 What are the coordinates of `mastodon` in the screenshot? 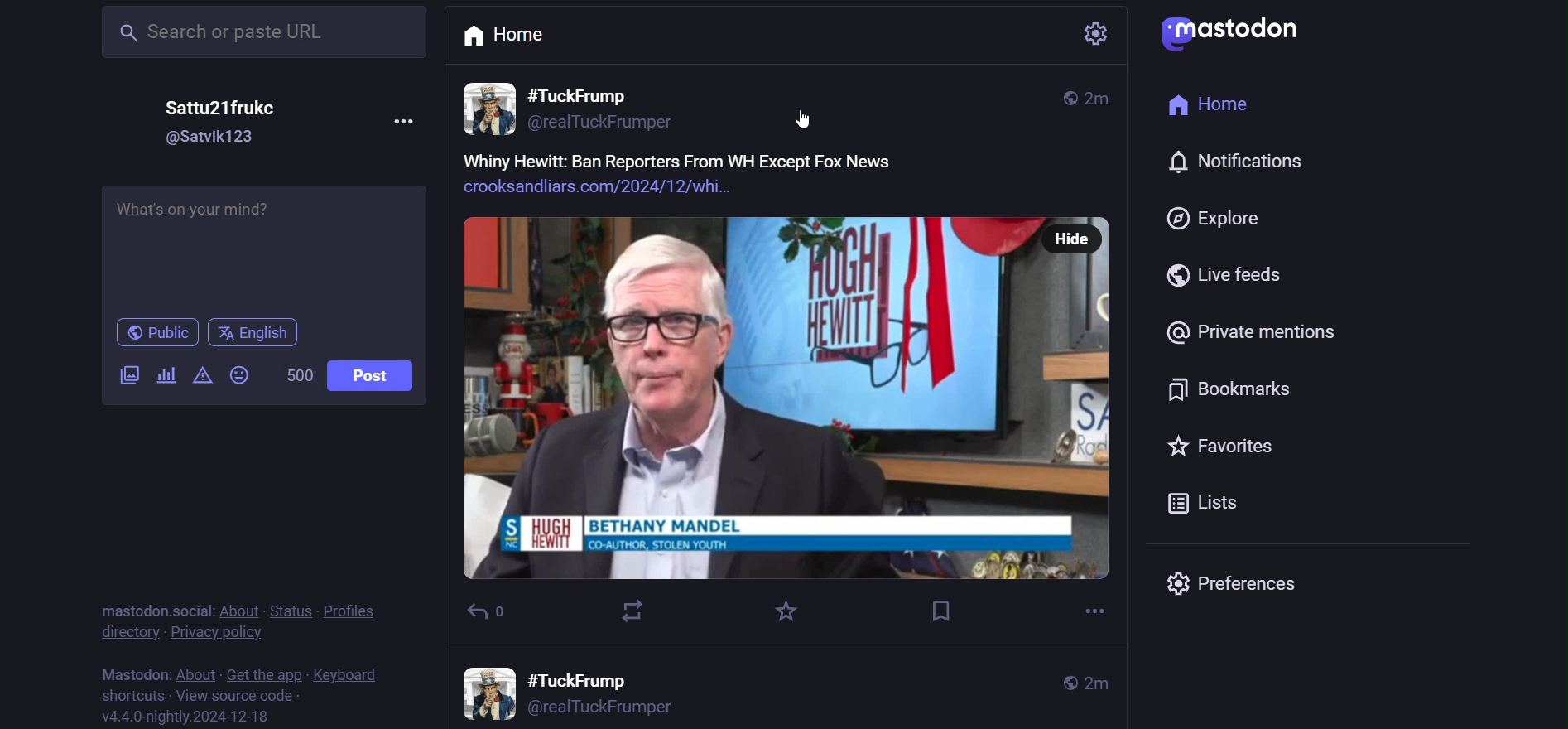 It's located at (150, 612).